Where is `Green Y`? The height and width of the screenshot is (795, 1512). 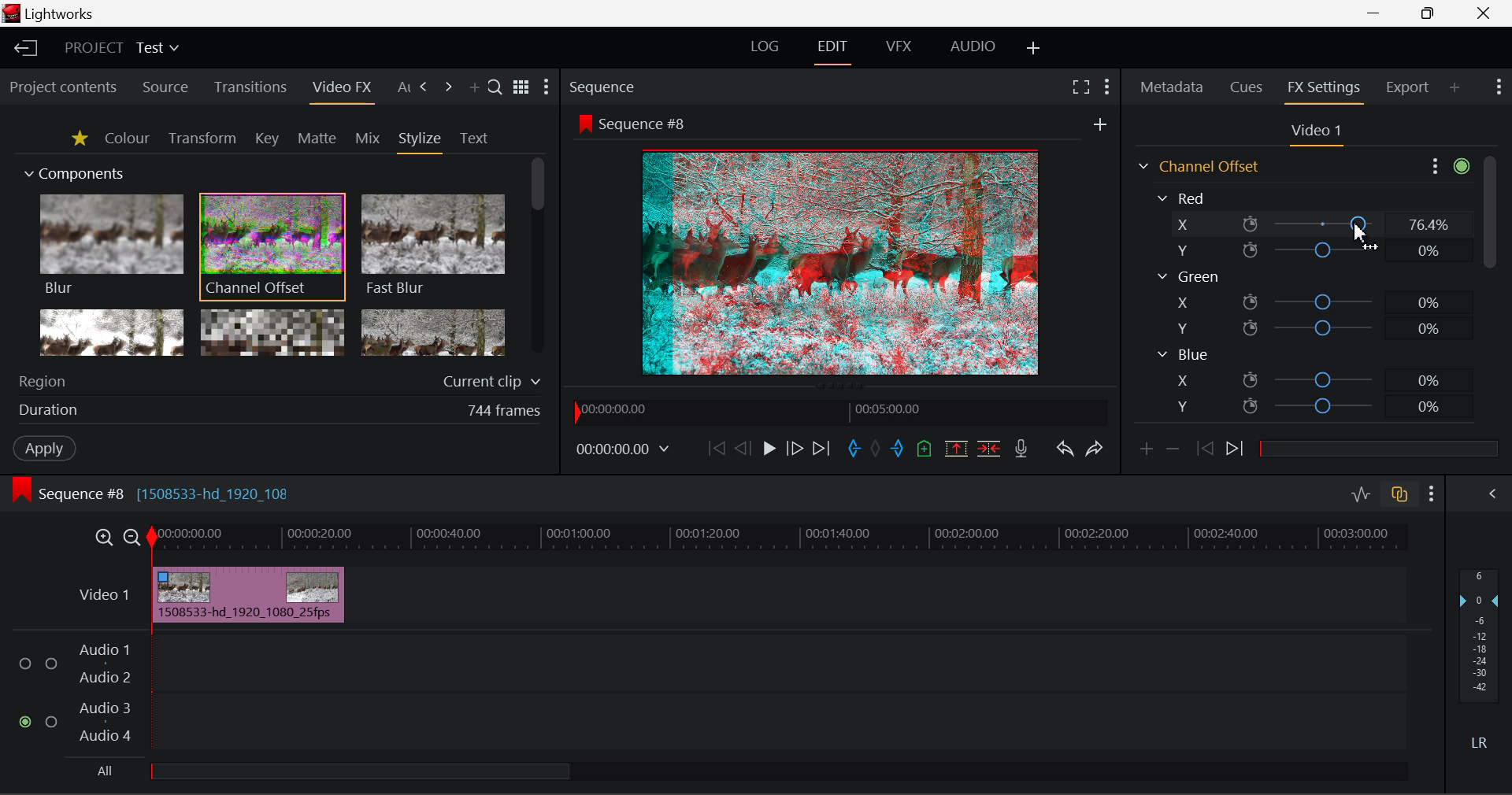
Green Y is located at coordinates (1308, 327).